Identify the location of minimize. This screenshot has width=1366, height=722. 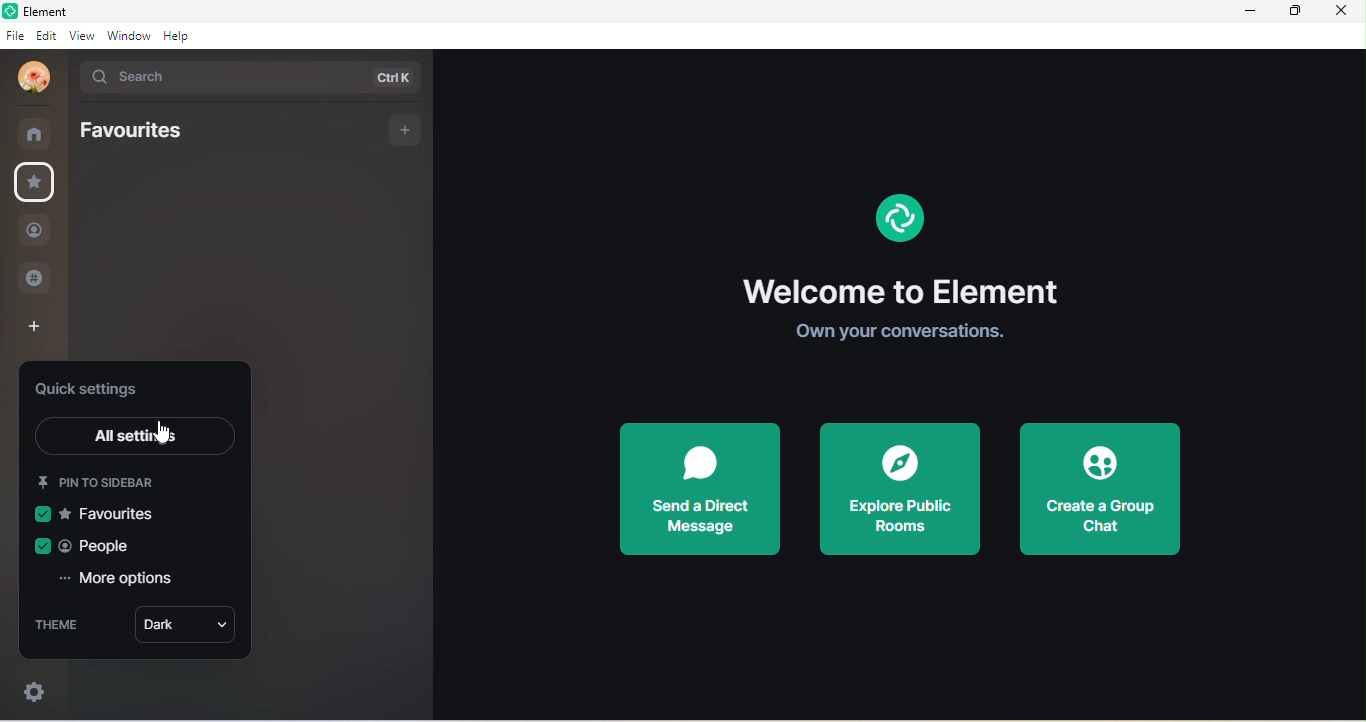
(1250, 11).